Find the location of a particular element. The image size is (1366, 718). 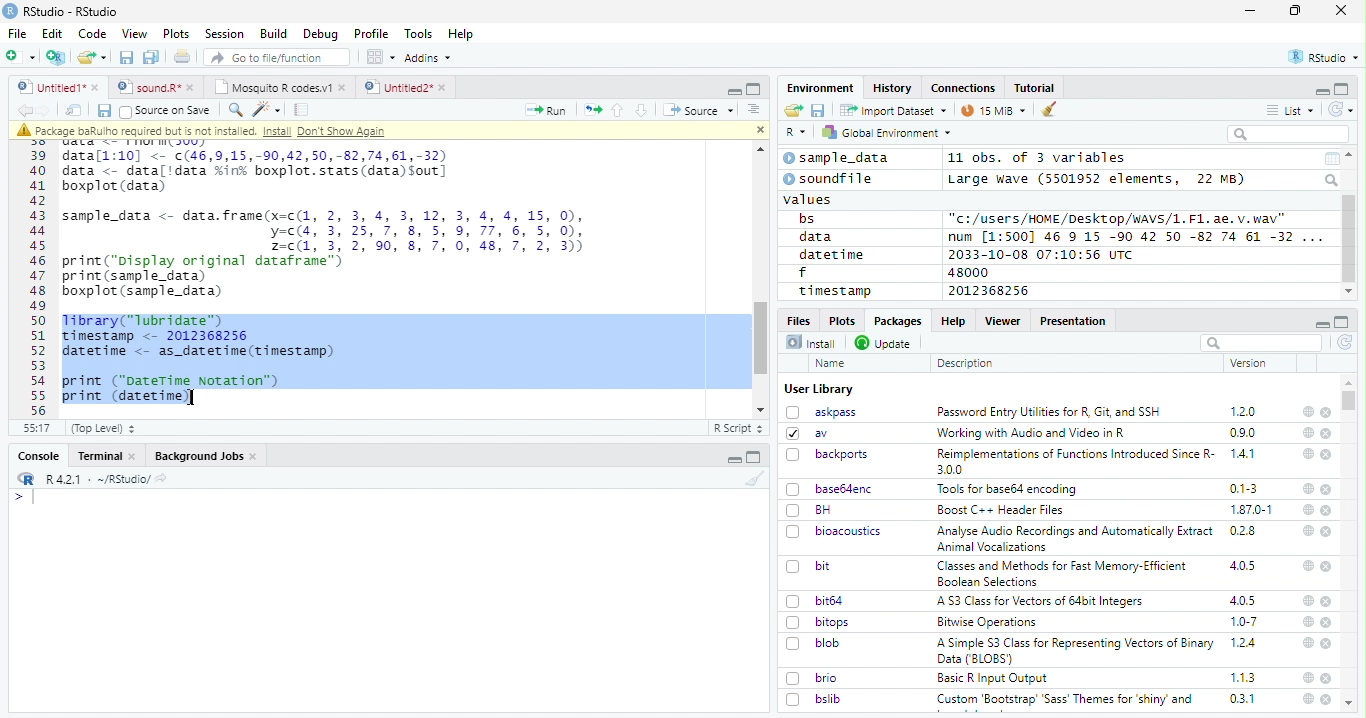

Console is located at coordinates (38, 456).